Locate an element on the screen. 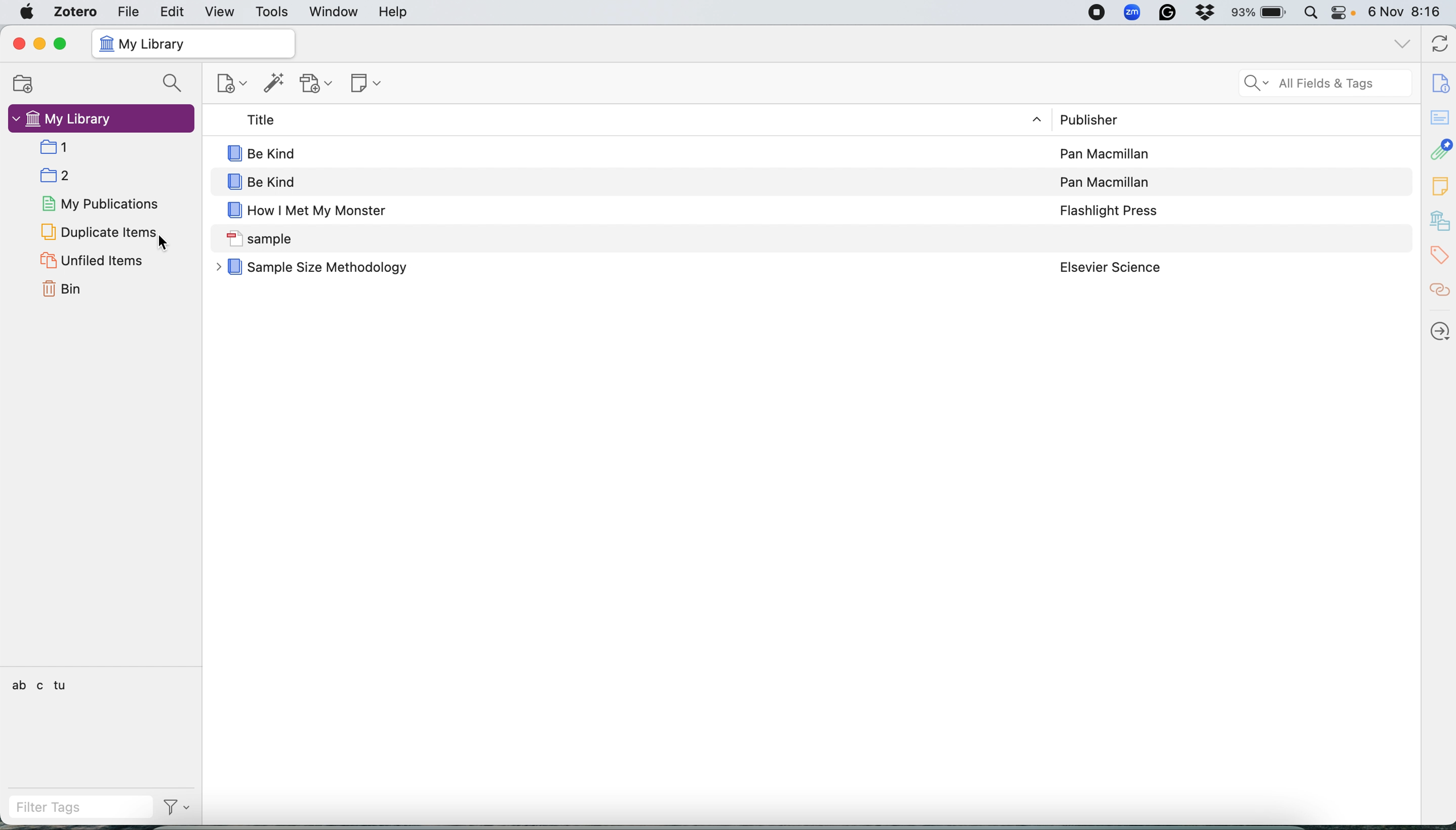 The width and height of the screenshot is (1456, 830). refresh is located at coordinates (1436, 44).